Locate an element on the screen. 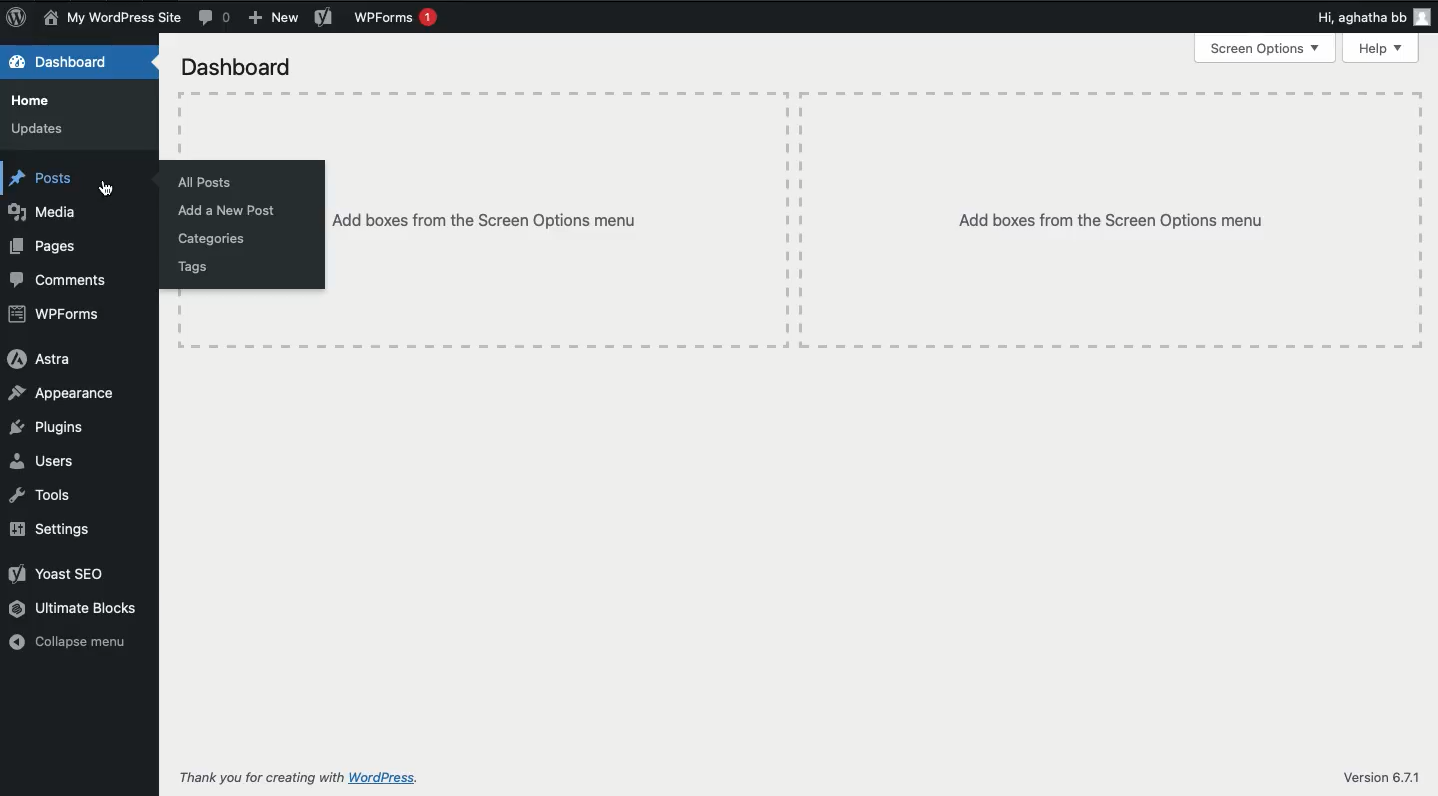 This screenshot has height=796, width=1438. Media is located at coordinates (44, 210).